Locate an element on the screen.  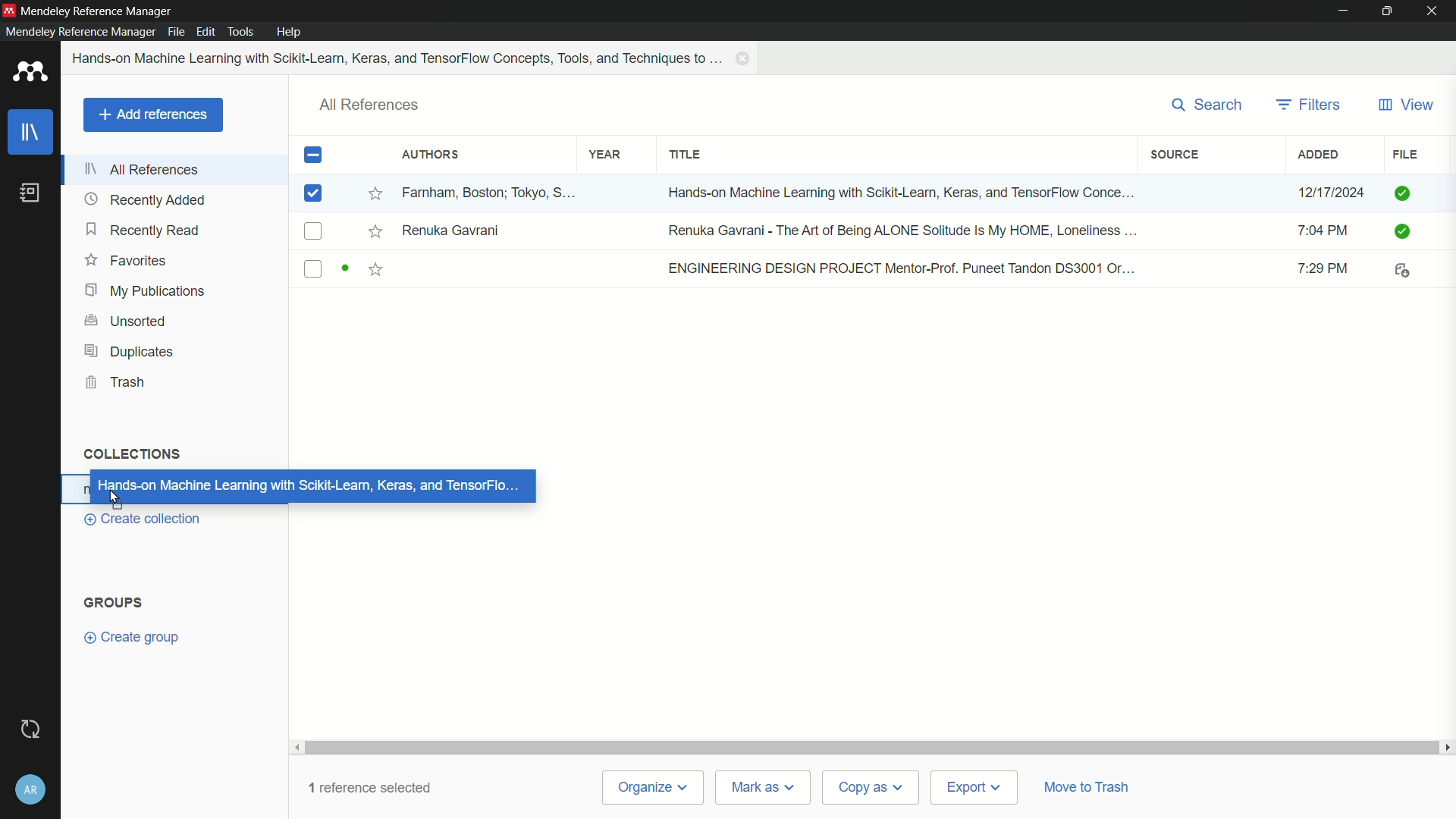
file is located at coordinates (1404, 155).